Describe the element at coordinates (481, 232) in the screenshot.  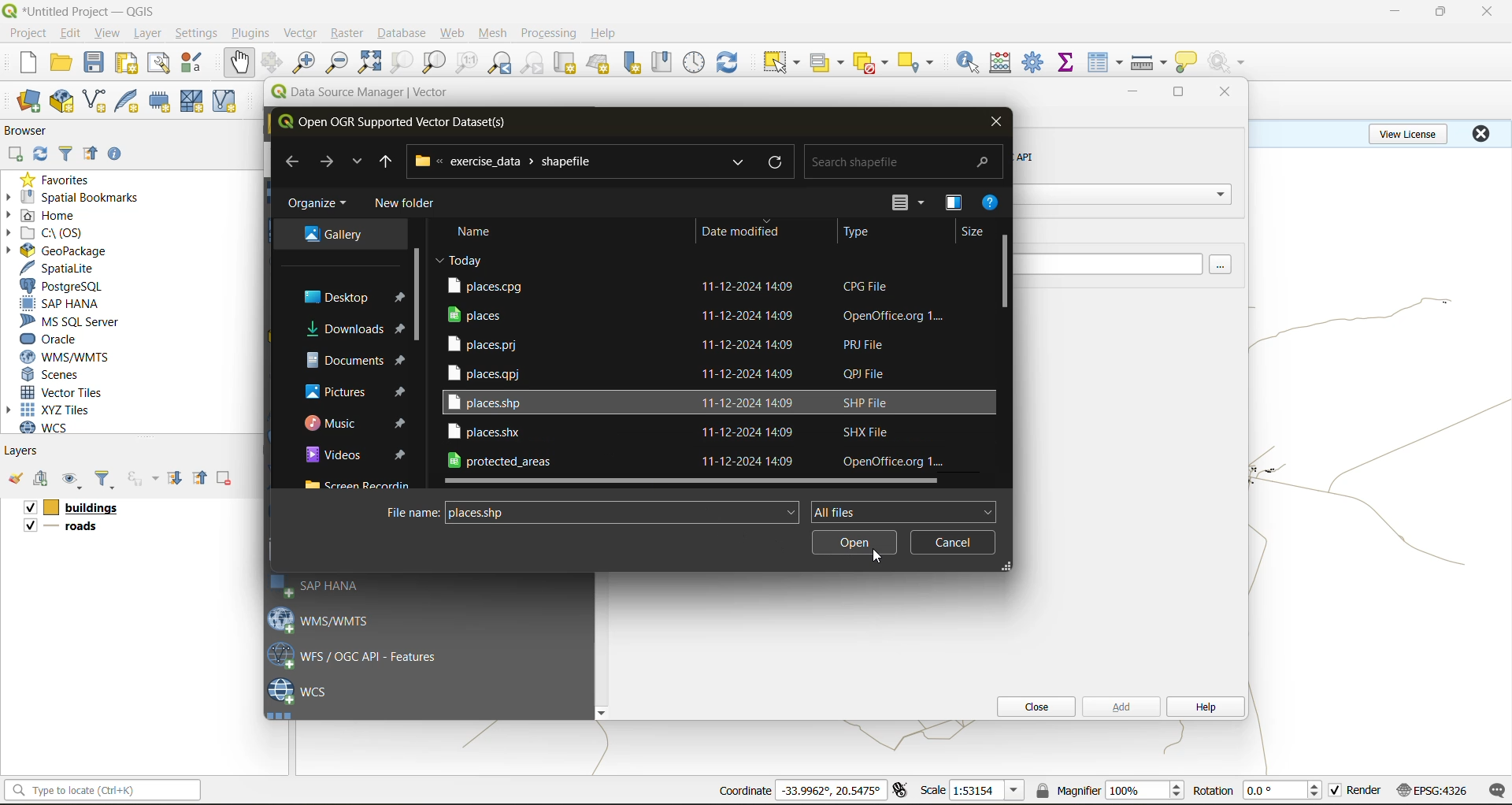
I see `name` at that location.